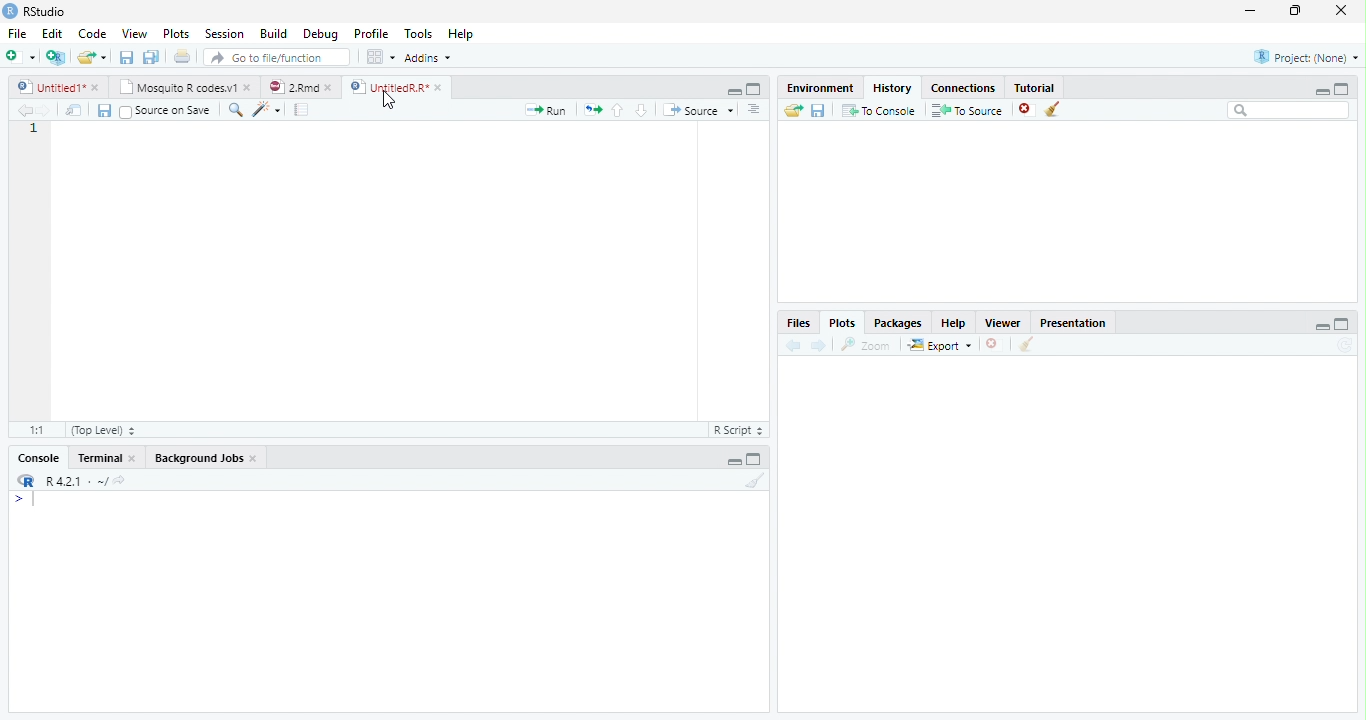 This screenshot has height=720, width=1366. What do you see at coordinates (167, 112) in the screenshot?
I see `Source on save` at bounding box center [167, 112].